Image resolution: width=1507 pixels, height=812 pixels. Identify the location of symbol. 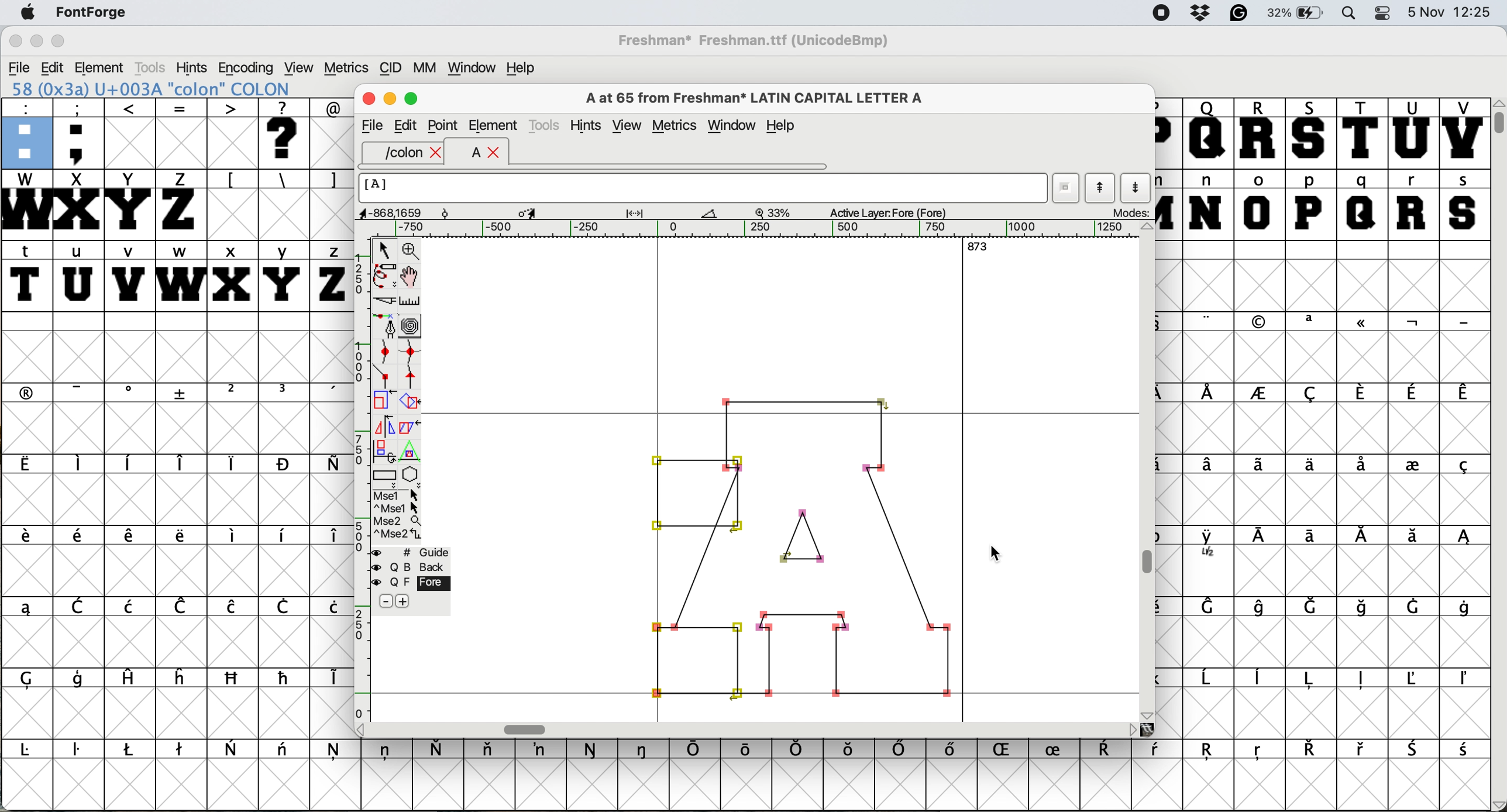
(1462, 322).